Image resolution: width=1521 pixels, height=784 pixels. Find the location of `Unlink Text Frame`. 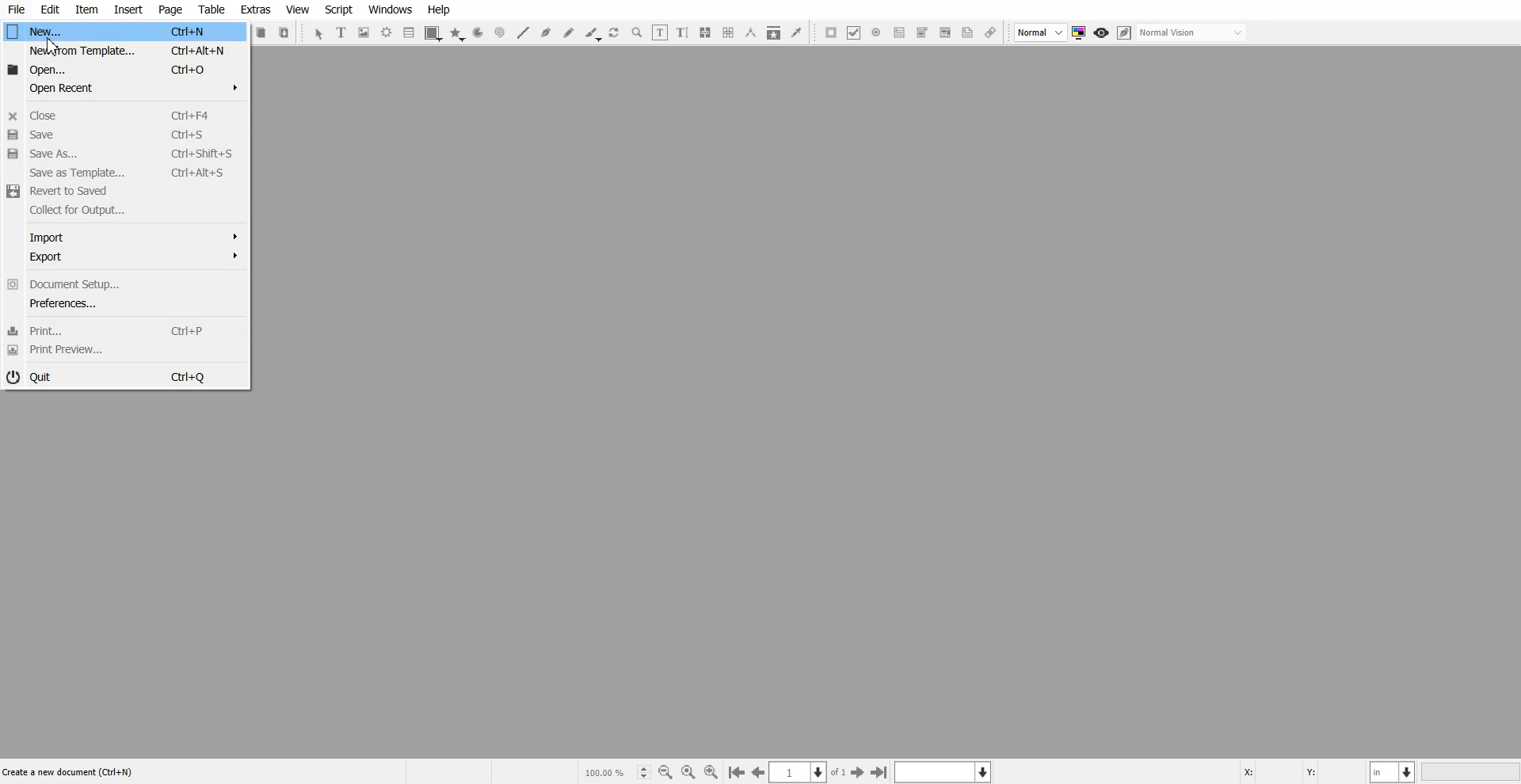

Unlink Text Frame is located at coordinates (729, 32).